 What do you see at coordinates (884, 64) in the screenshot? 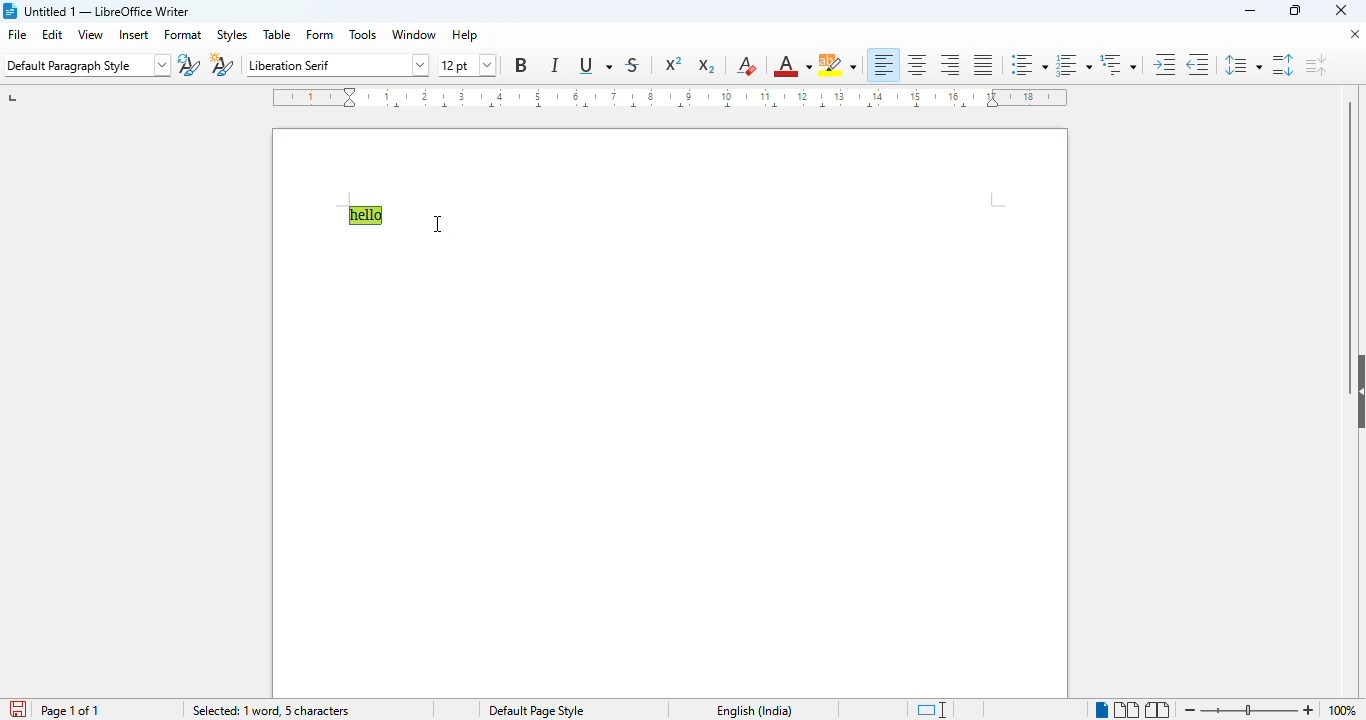
I see `align left` at bounding box center [884, 64].